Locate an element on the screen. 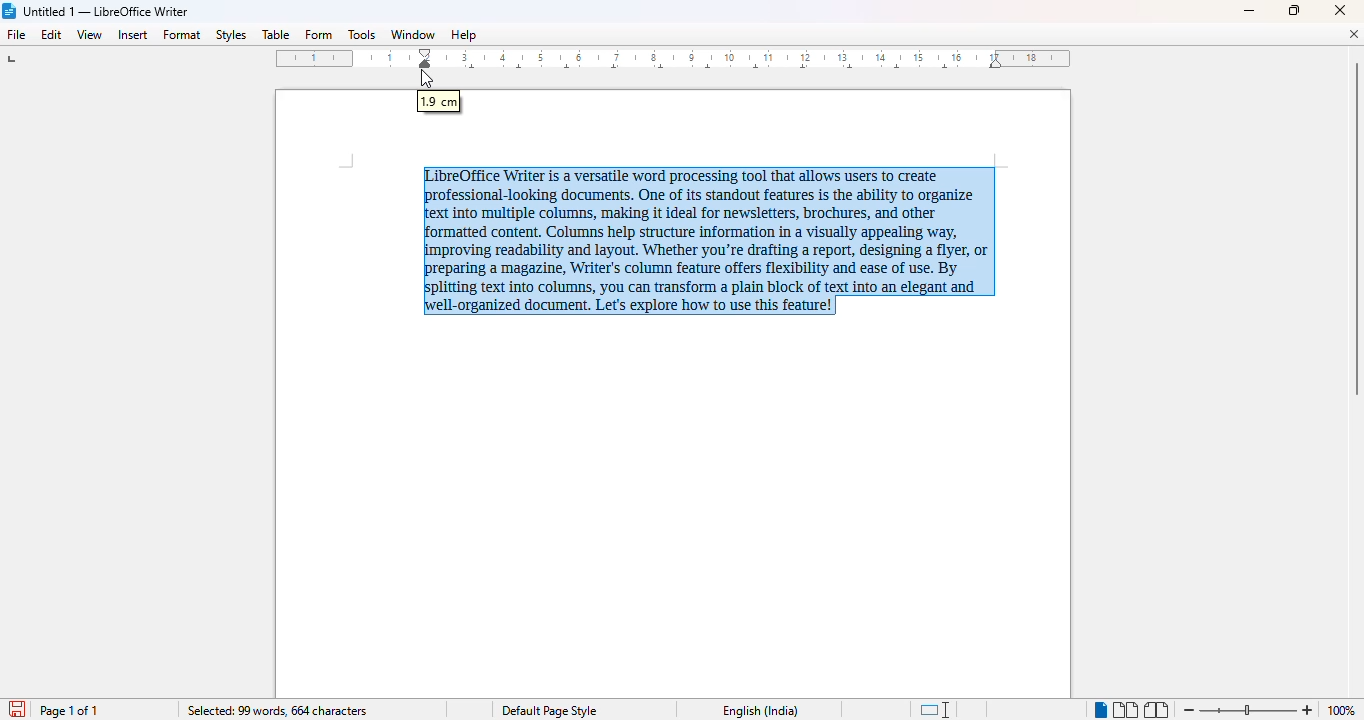  styles is located at coordinates (230, 34).